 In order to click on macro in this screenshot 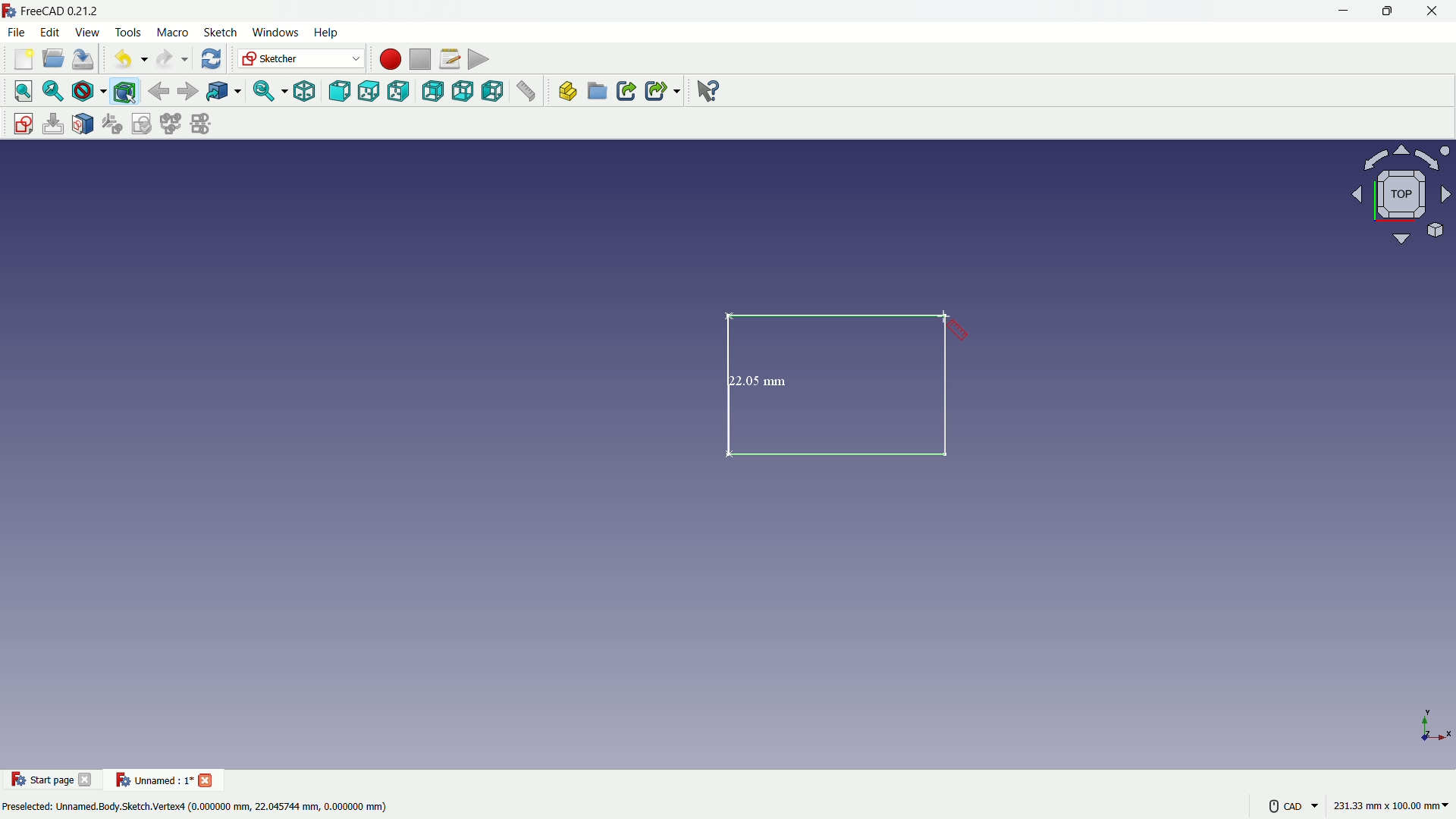, I will do `click(171, 33)`.